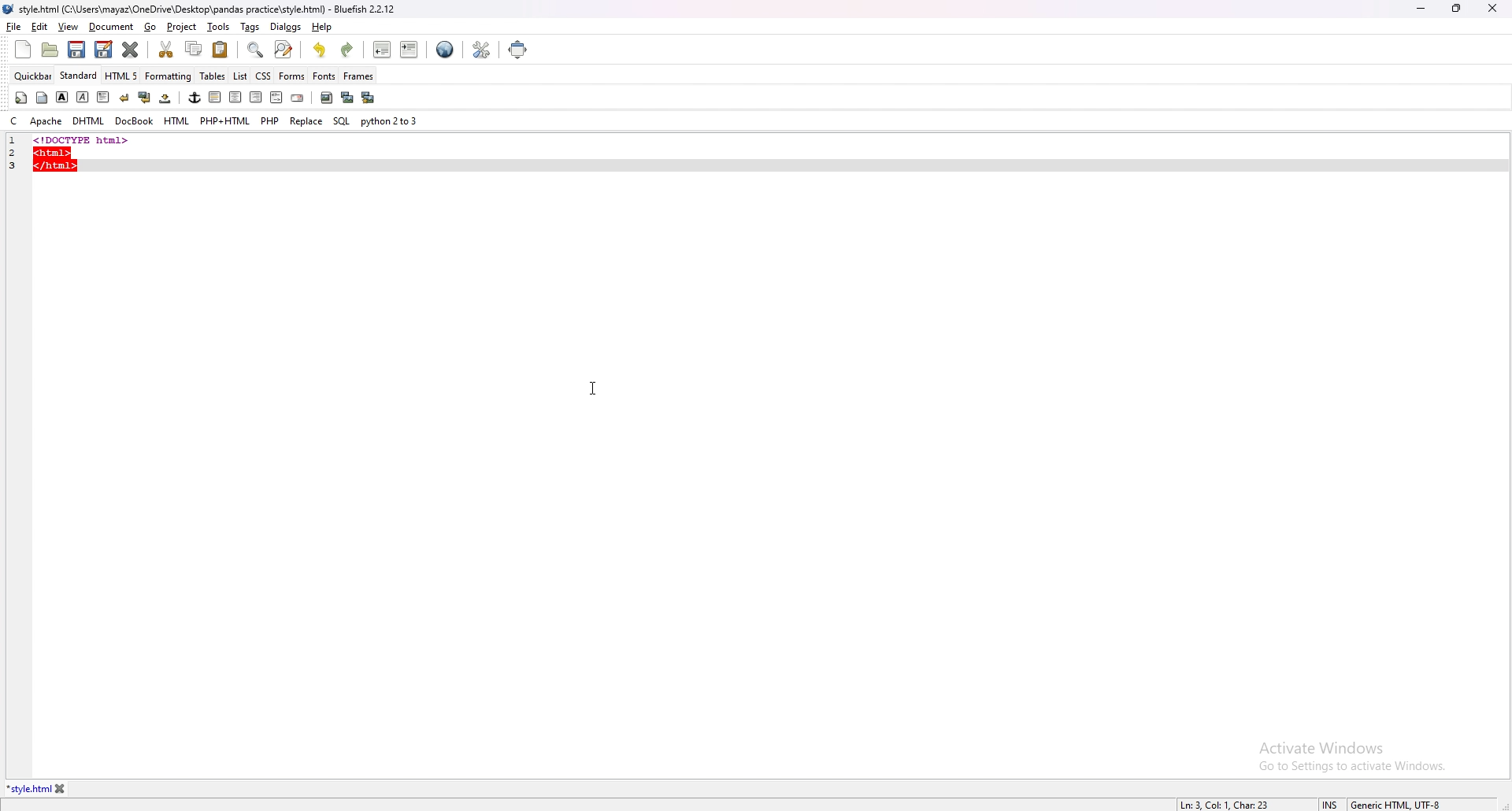 The height and width of the screenshot is (811, 1512). What do you see at coordinates (14, 26) in the screenshot?
I see `file` at bounding box center [14, 26].